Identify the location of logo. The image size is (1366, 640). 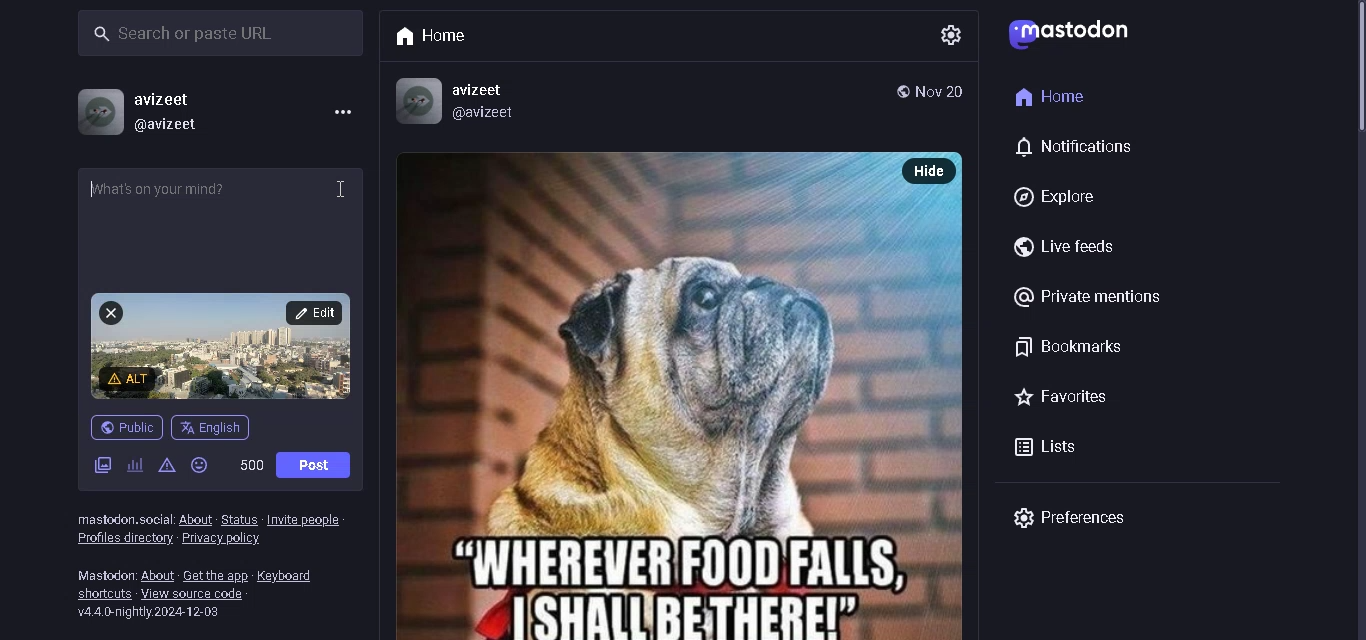
(1075, 33).